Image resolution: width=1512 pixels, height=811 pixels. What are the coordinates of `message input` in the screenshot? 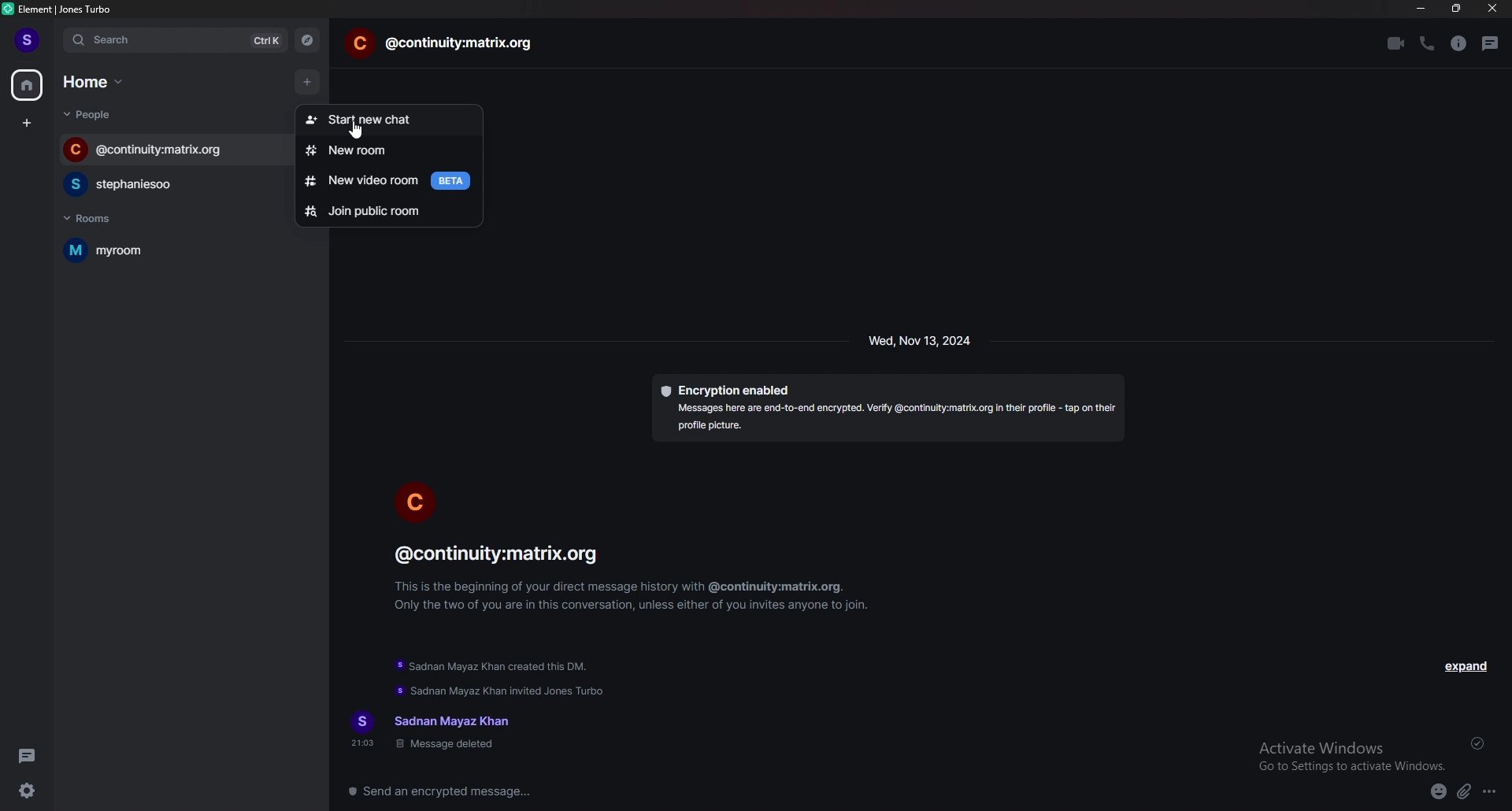 It's located at (677, 791).